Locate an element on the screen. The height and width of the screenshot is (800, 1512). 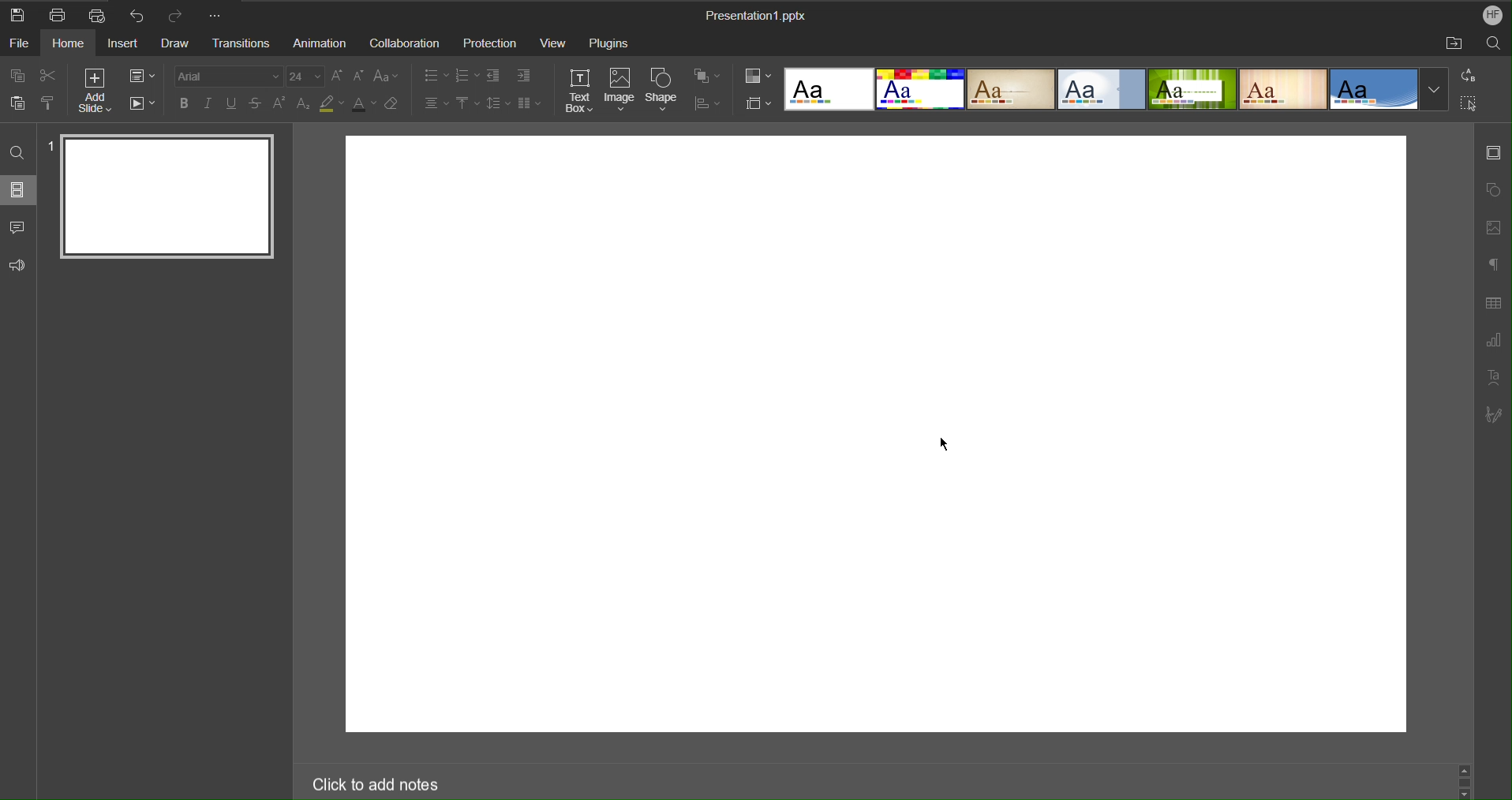
Increase Size is located at coordinates (337, 76).